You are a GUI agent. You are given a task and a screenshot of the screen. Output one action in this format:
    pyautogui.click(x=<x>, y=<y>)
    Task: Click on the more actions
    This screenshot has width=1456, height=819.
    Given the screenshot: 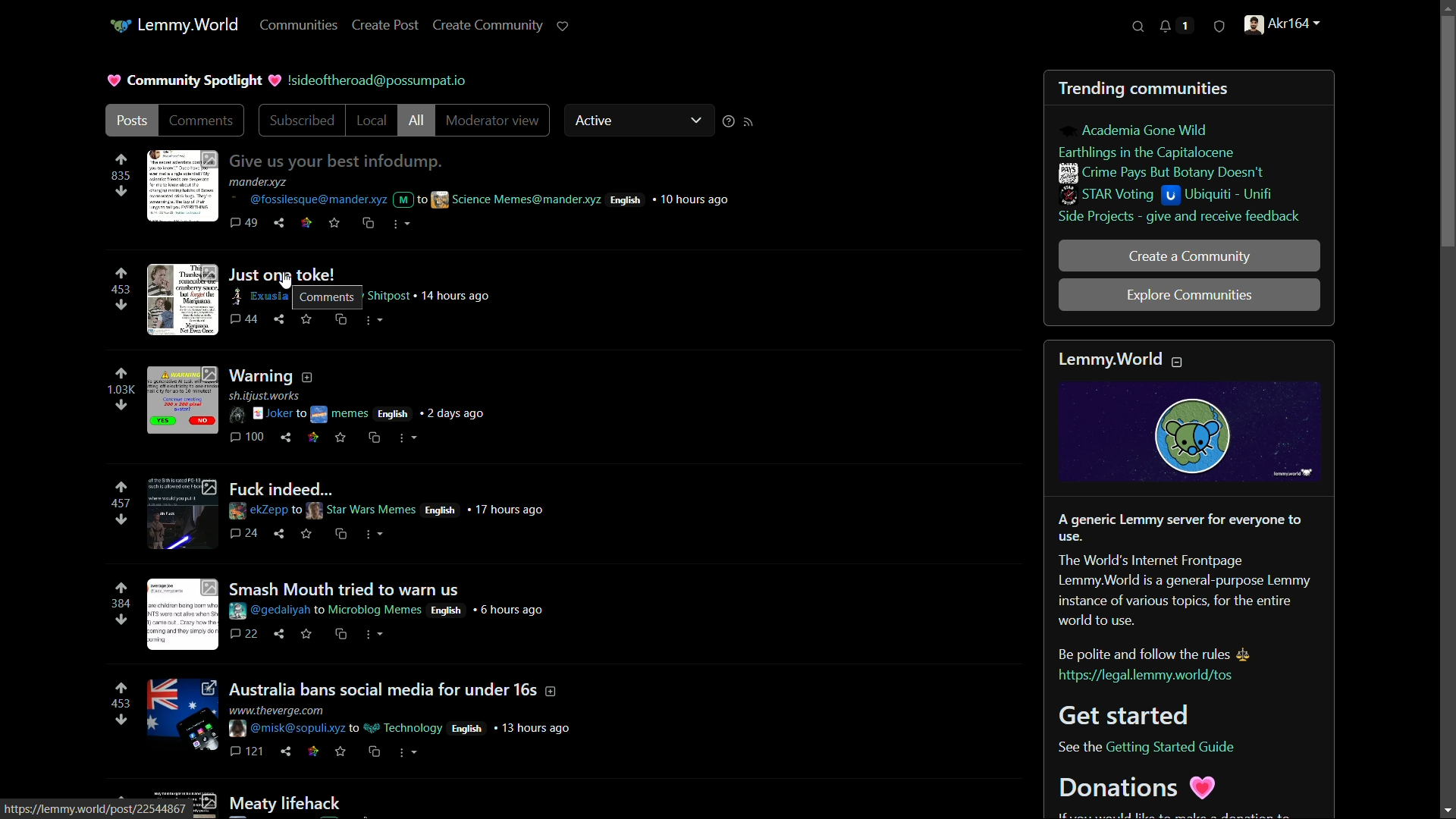 What is the action you would take?
    pyautogui.click(x=373, y=536)
    